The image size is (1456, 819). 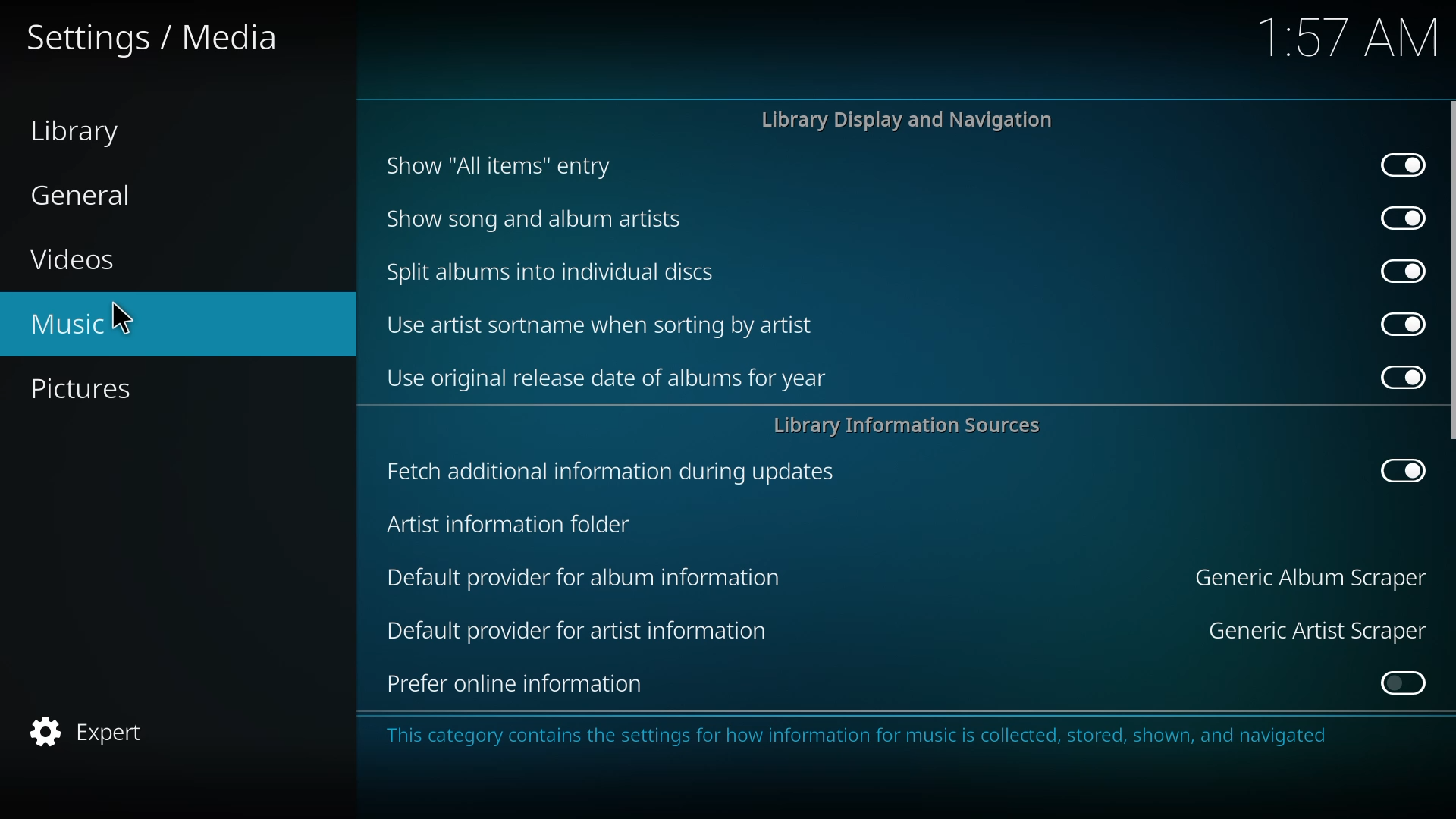 What do you see at coordinates (1395, 217) in the screenshot?
I see `enabled` at bounding box center [1395, 217].